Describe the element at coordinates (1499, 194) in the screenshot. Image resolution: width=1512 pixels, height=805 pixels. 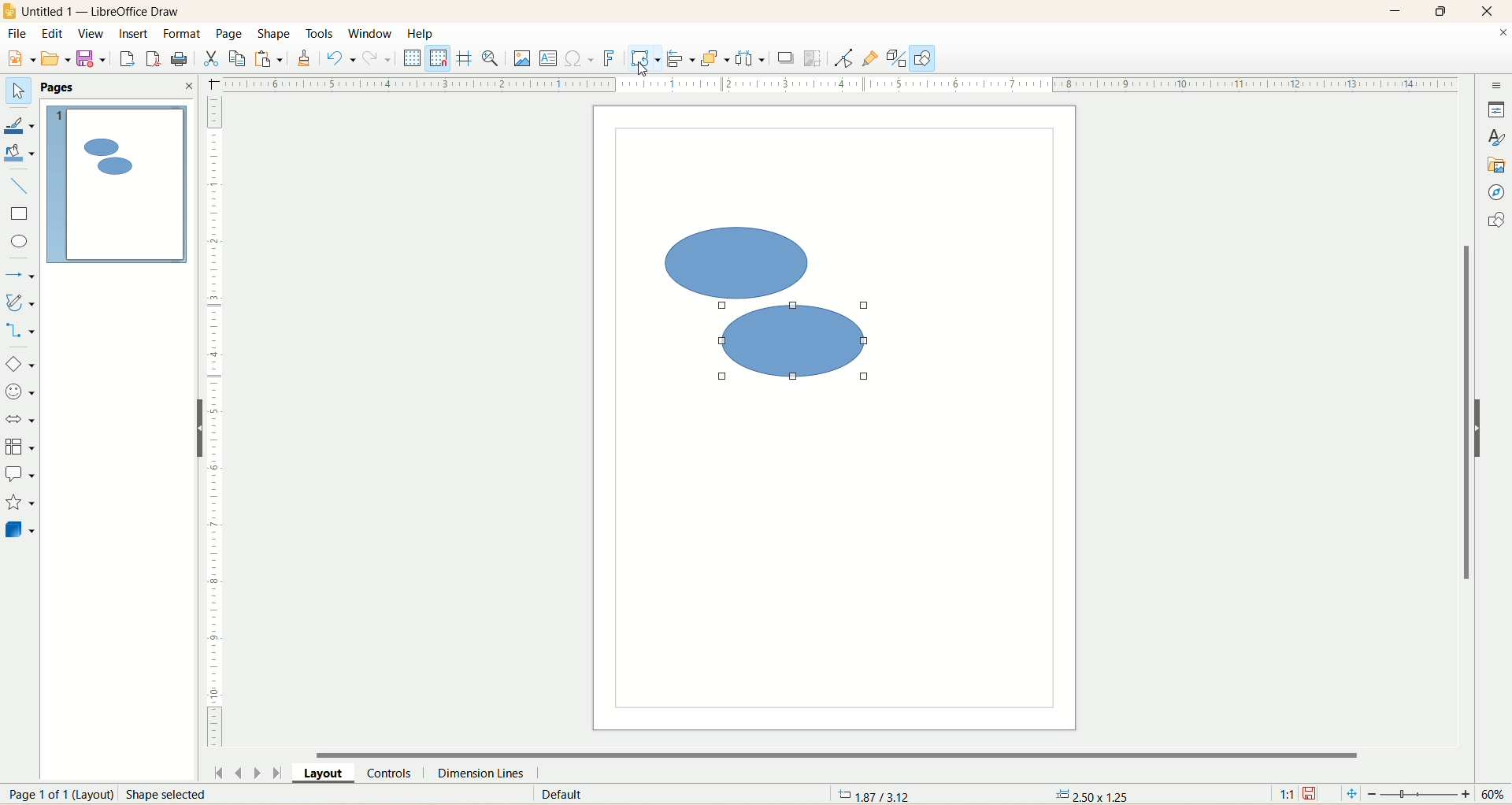
I see `navigator` at that location.